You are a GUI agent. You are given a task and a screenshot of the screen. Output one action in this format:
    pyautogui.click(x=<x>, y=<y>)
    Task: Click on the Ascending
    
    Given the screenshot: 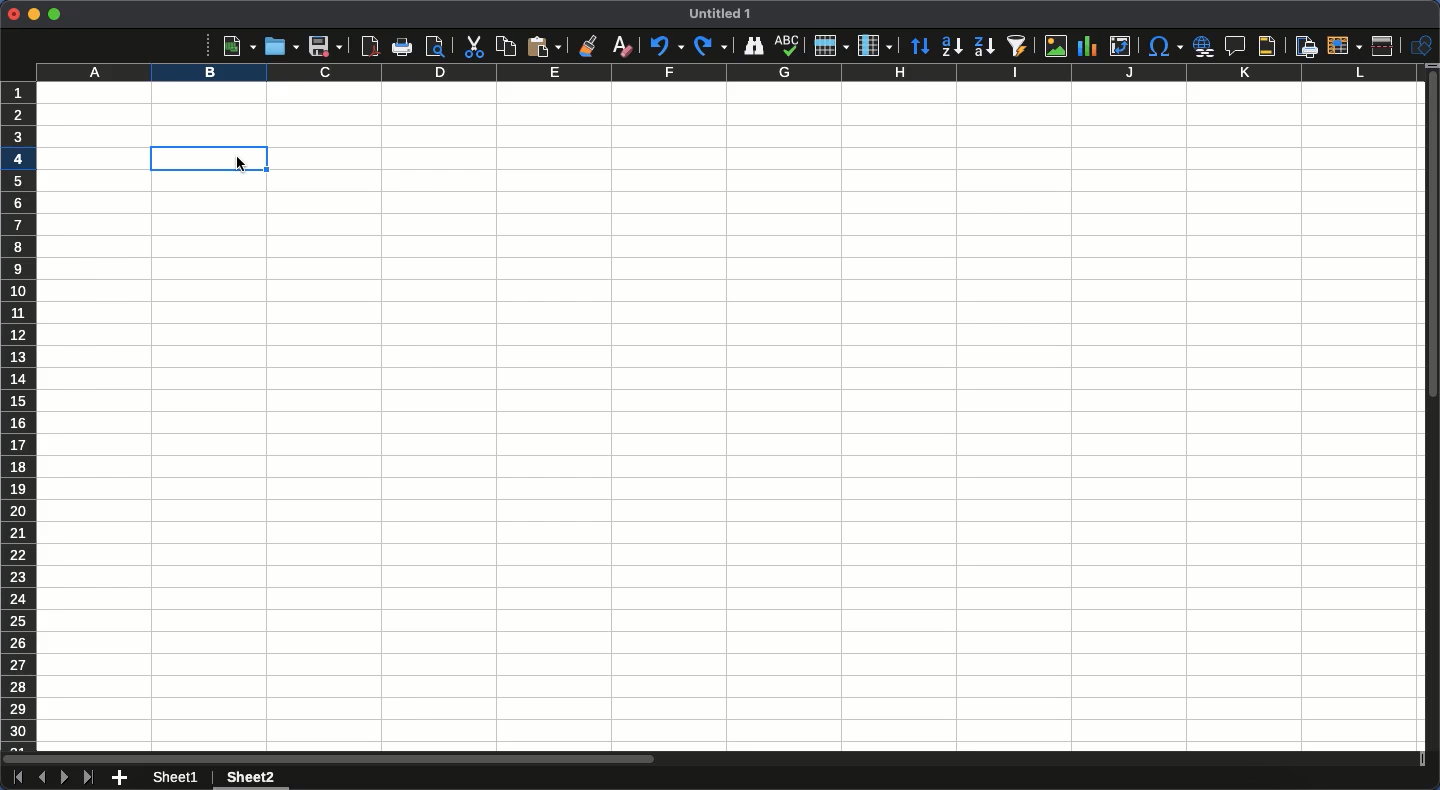 What is the action you would take?
    pyautogui.click(x=951, y=45)
    